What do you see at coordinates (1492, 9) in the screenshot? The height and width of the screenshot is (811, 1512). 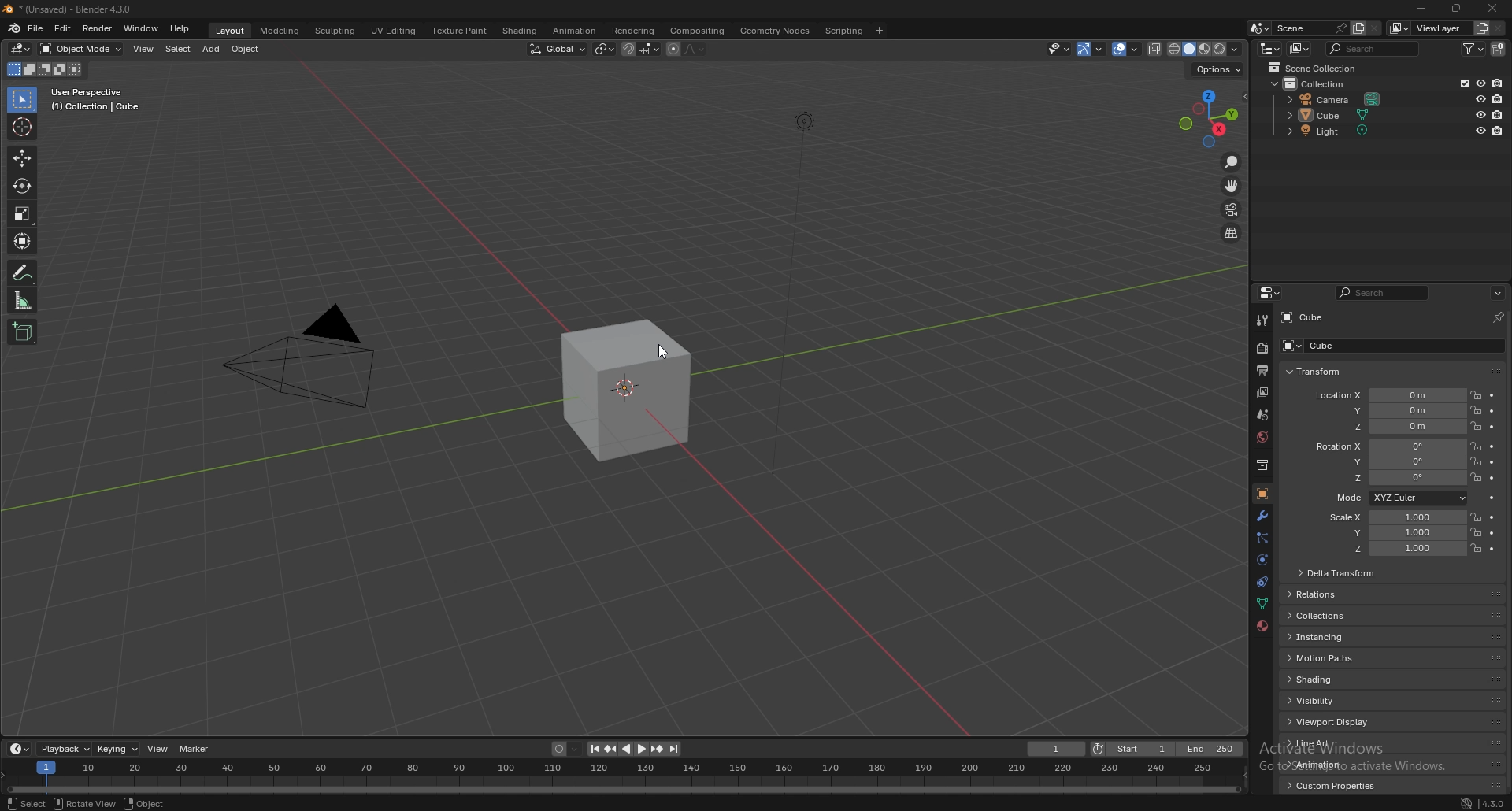 I see `close` at bounding box center [1492, 9].